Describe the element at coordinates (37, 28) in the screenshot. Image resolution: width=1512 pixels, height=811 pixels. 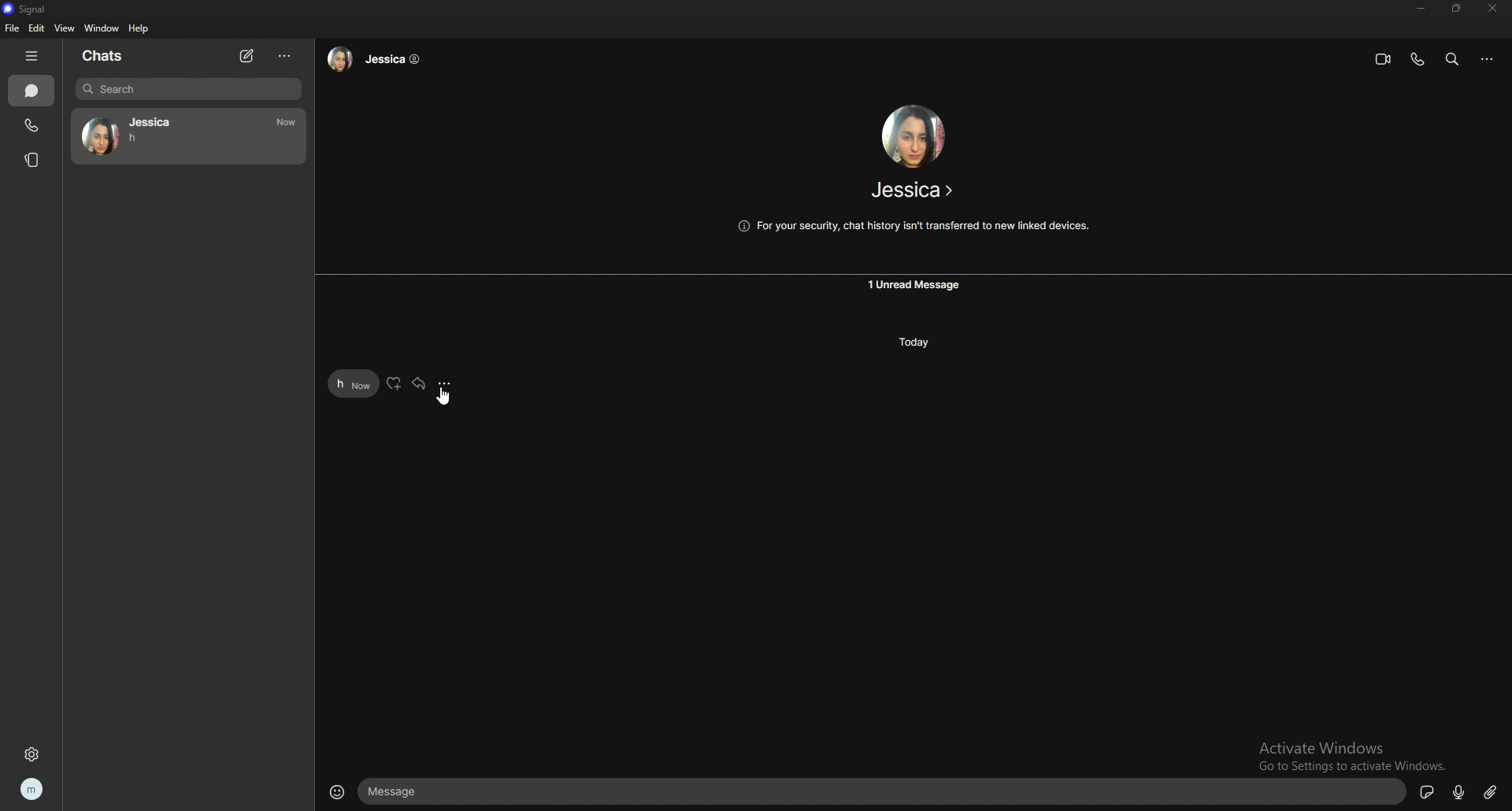
I see `edit` at that location.